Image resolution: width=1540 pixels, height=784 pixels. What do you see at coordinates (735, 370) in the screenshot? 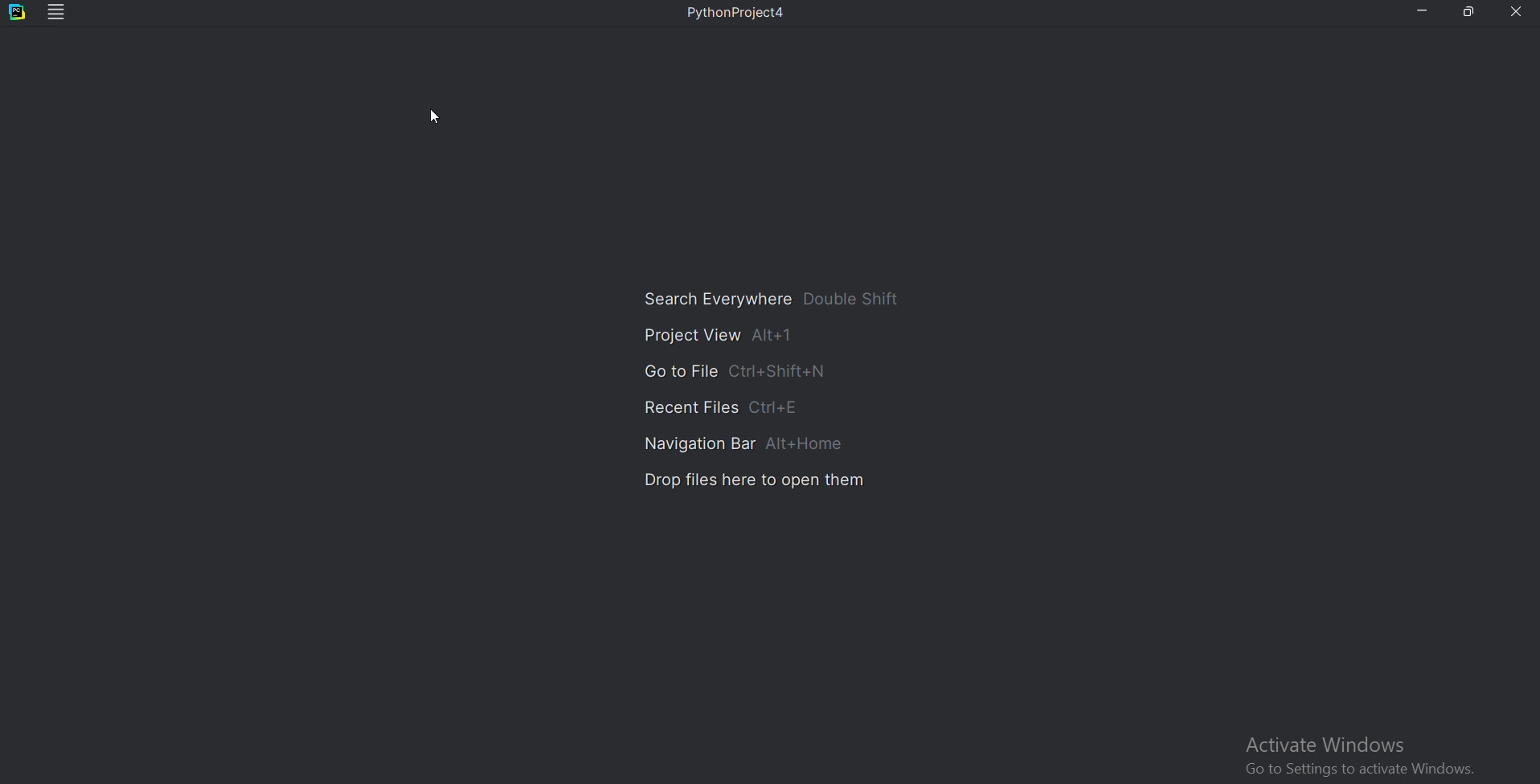
I see `Go to file` at bounding box center [735, 370].